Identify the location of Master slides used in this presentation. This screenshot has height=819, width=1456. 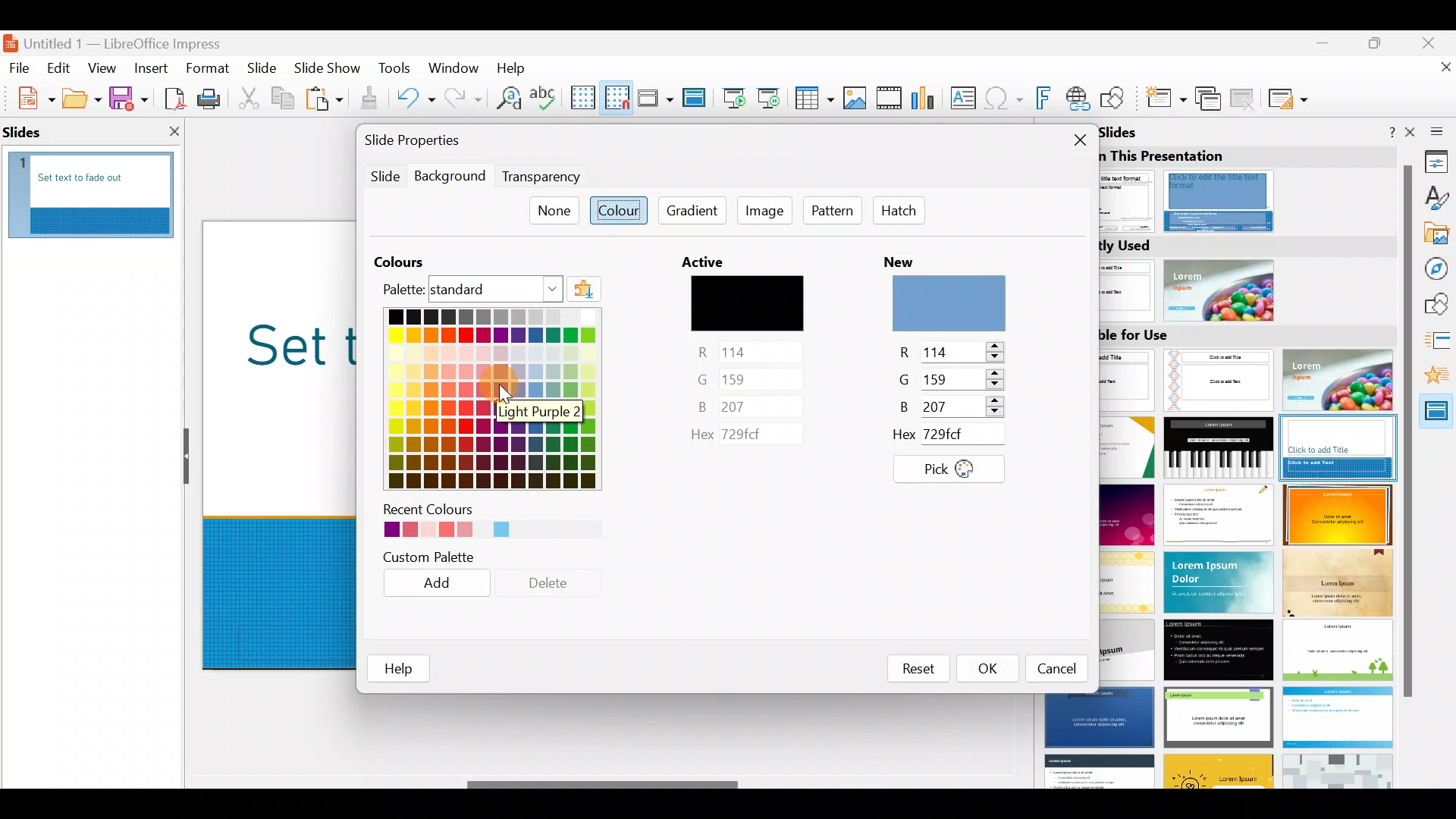
(1245, 178).